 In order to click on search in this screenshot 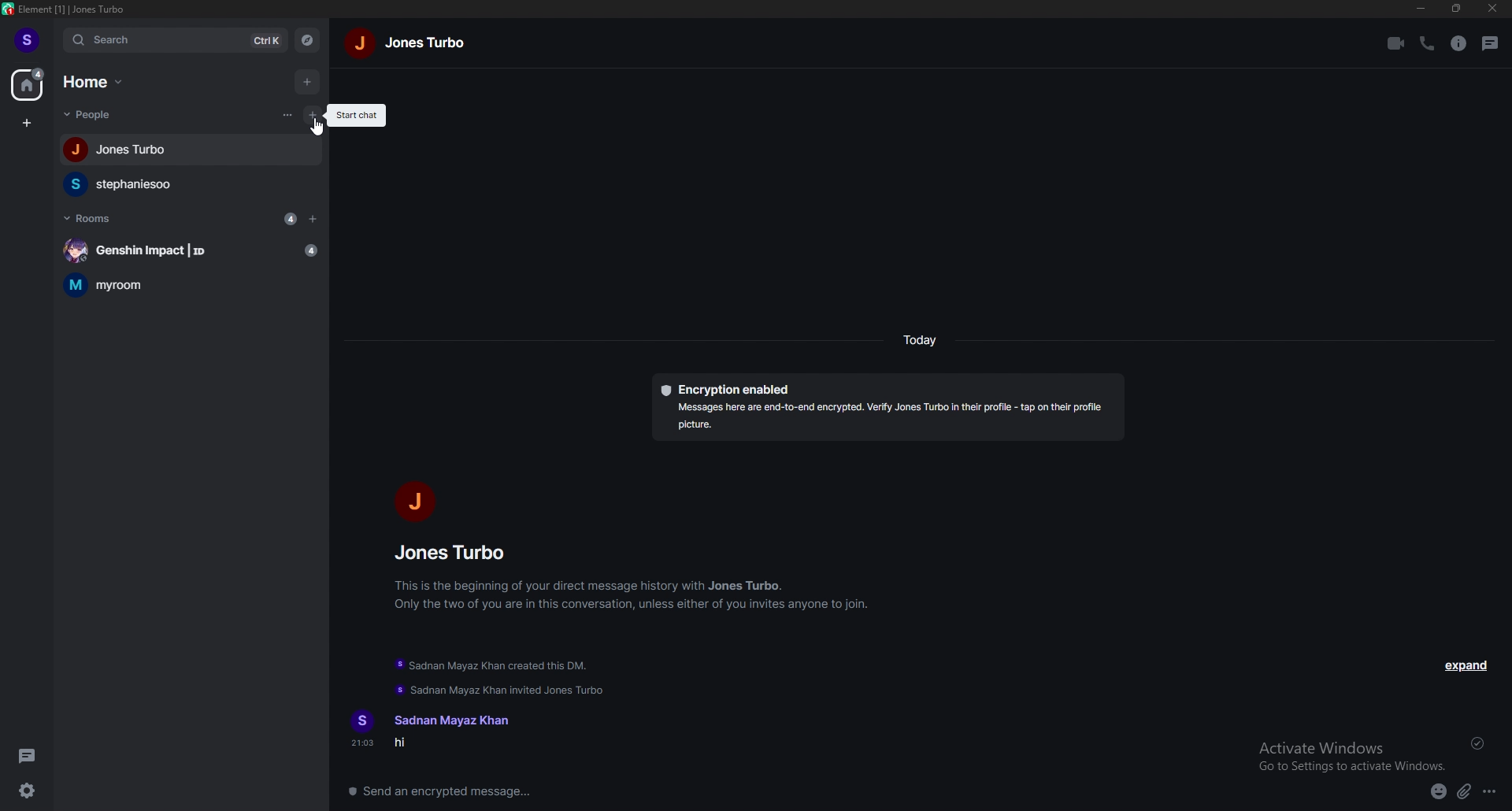, I will do `click(150, 40)`.